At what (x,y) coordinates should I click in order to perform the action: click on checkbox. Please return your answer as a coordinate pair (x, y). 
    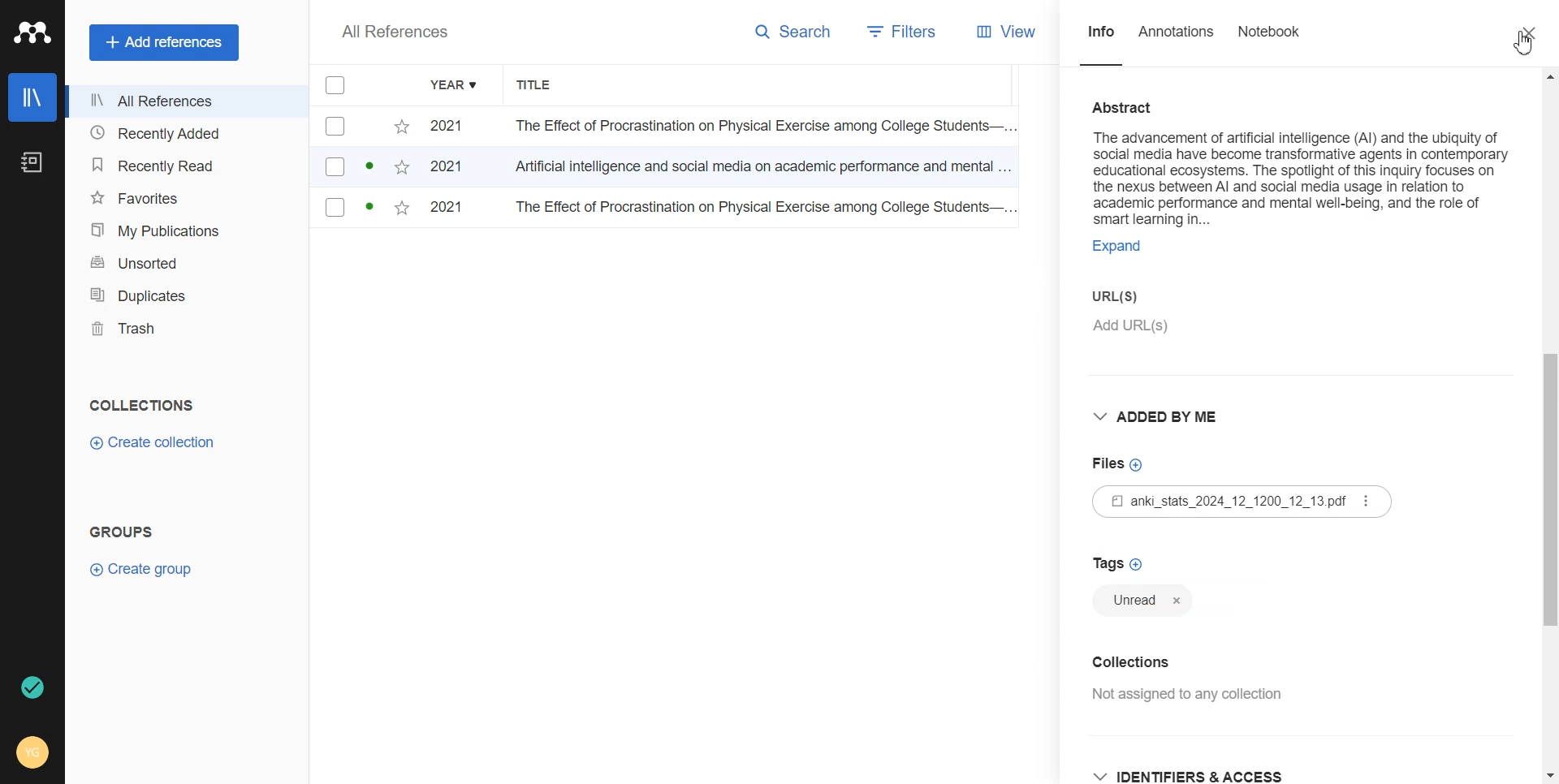
    Looking at the image, I should click on (363, 127).